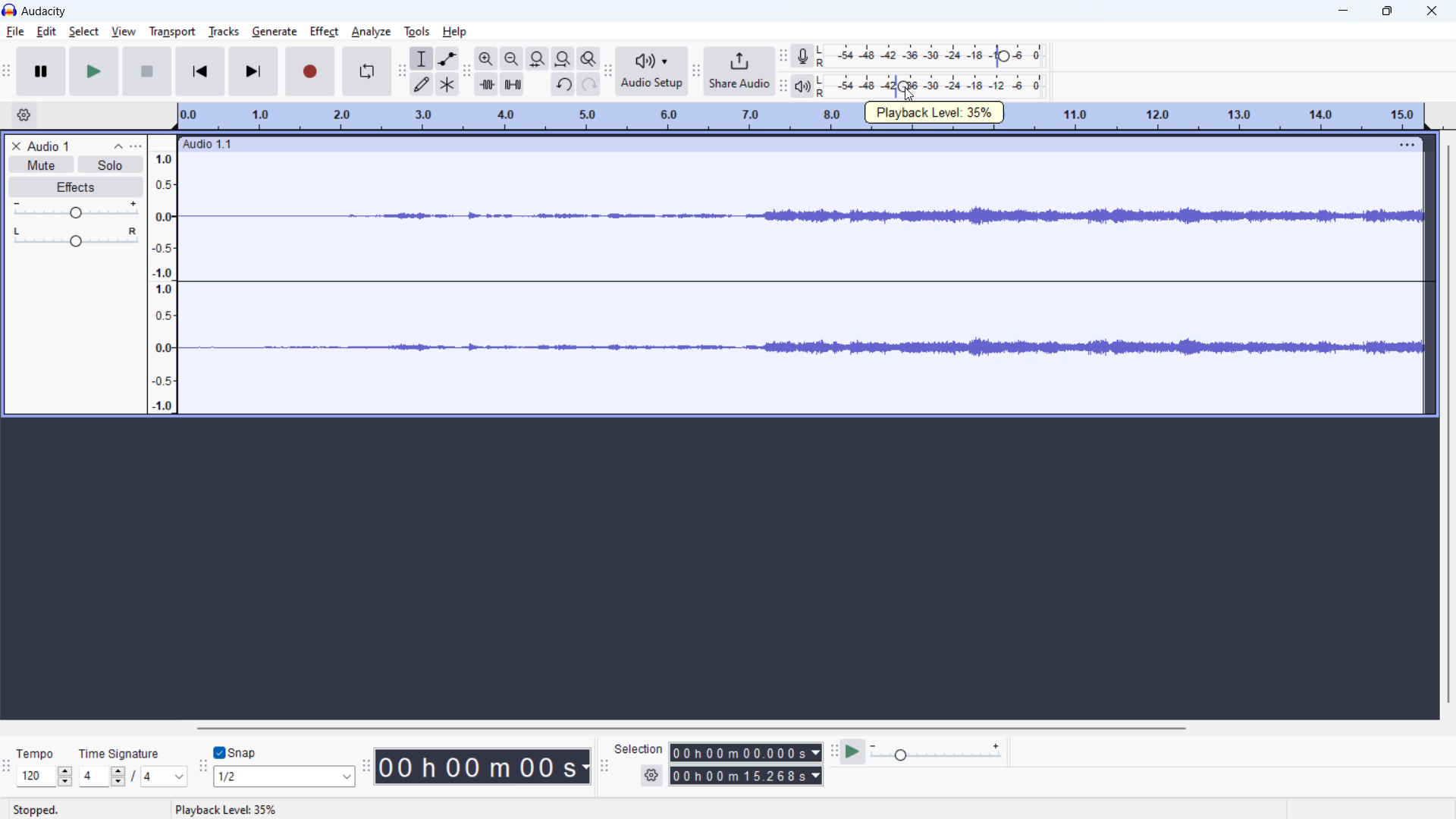 This screenshot has height=819, width=1456. I want to click on help, so click(454, 32).